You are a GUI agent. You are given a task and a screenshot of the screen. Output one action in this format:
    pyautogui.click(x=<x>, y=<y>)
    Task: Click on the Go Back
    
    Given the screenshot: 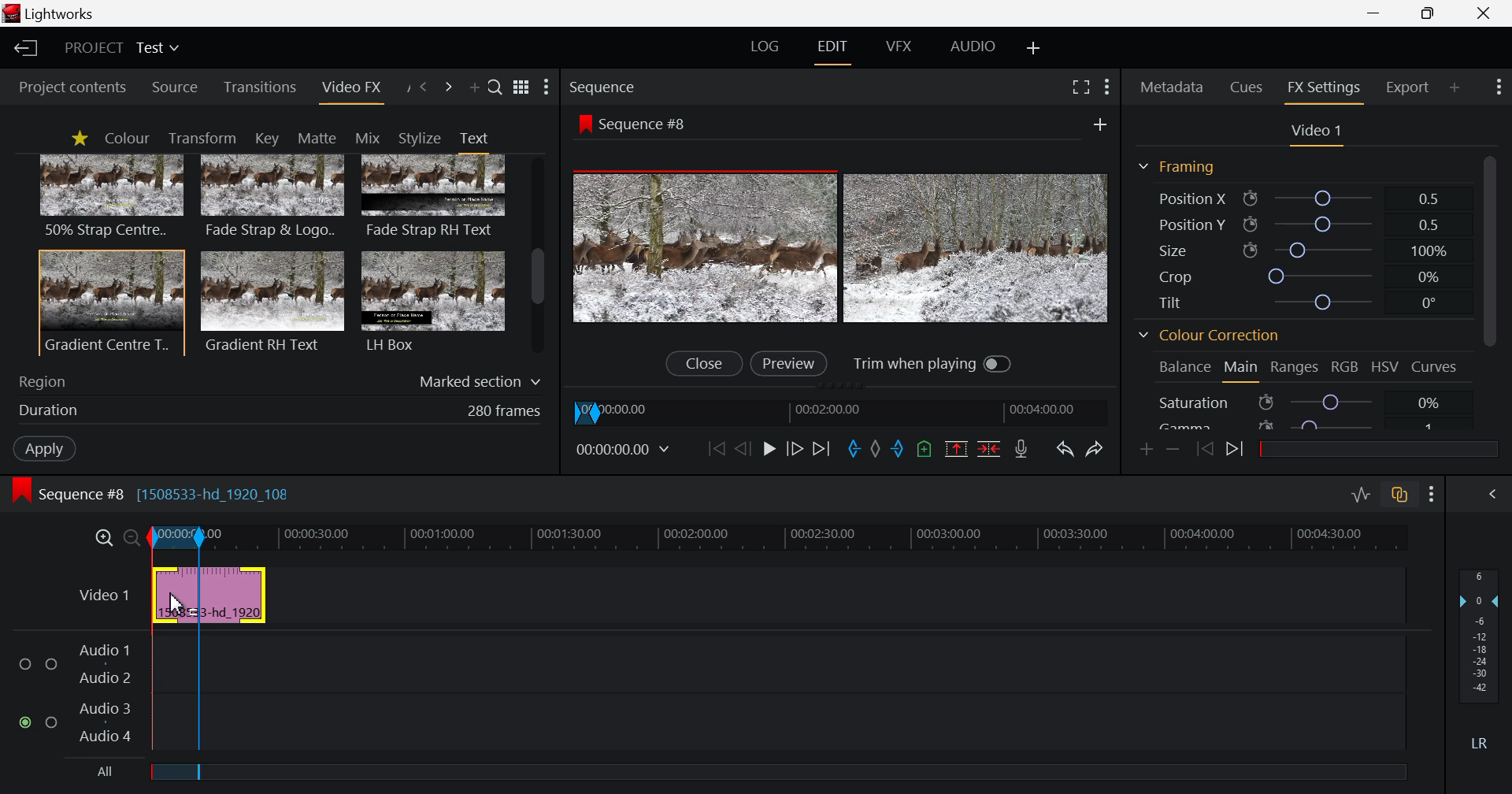 What is the action you would take?
    pyautogui.click(x=743, y=448)
    